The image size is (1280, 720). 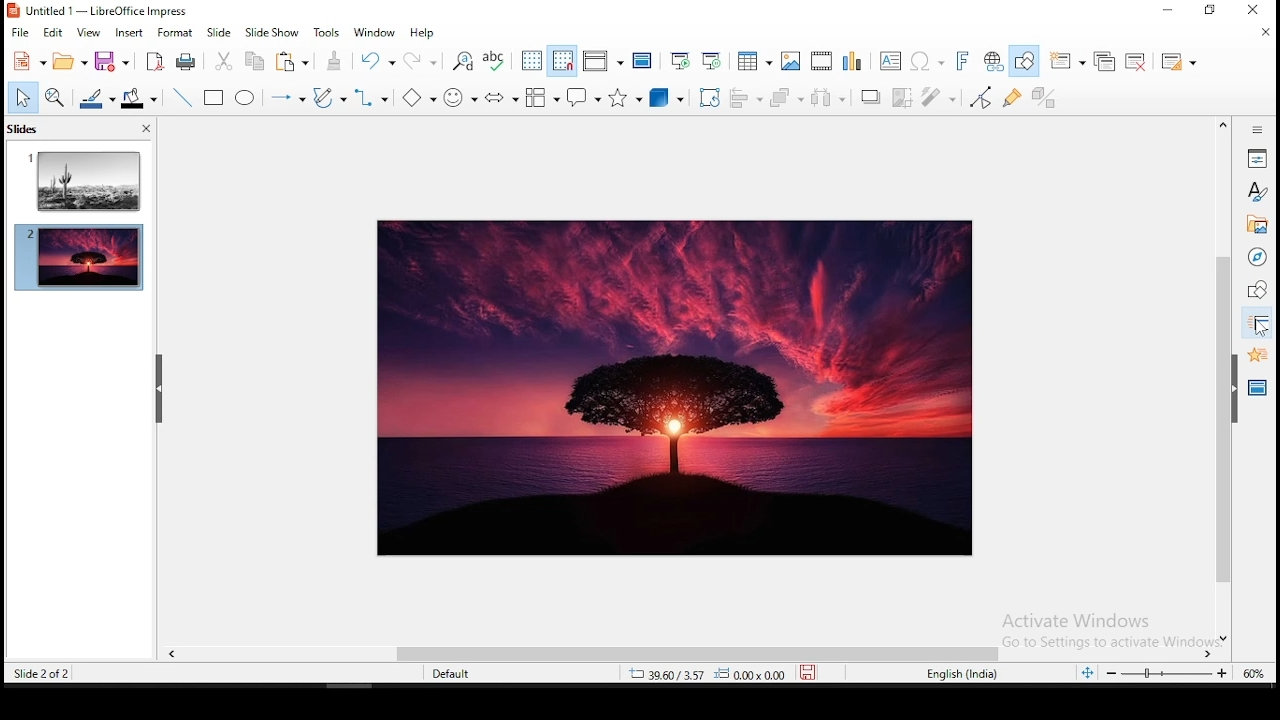 What do you see at coordinates (679, 60) in the screenshot?
I see `start from first slide` at bounding box center [679, 60].